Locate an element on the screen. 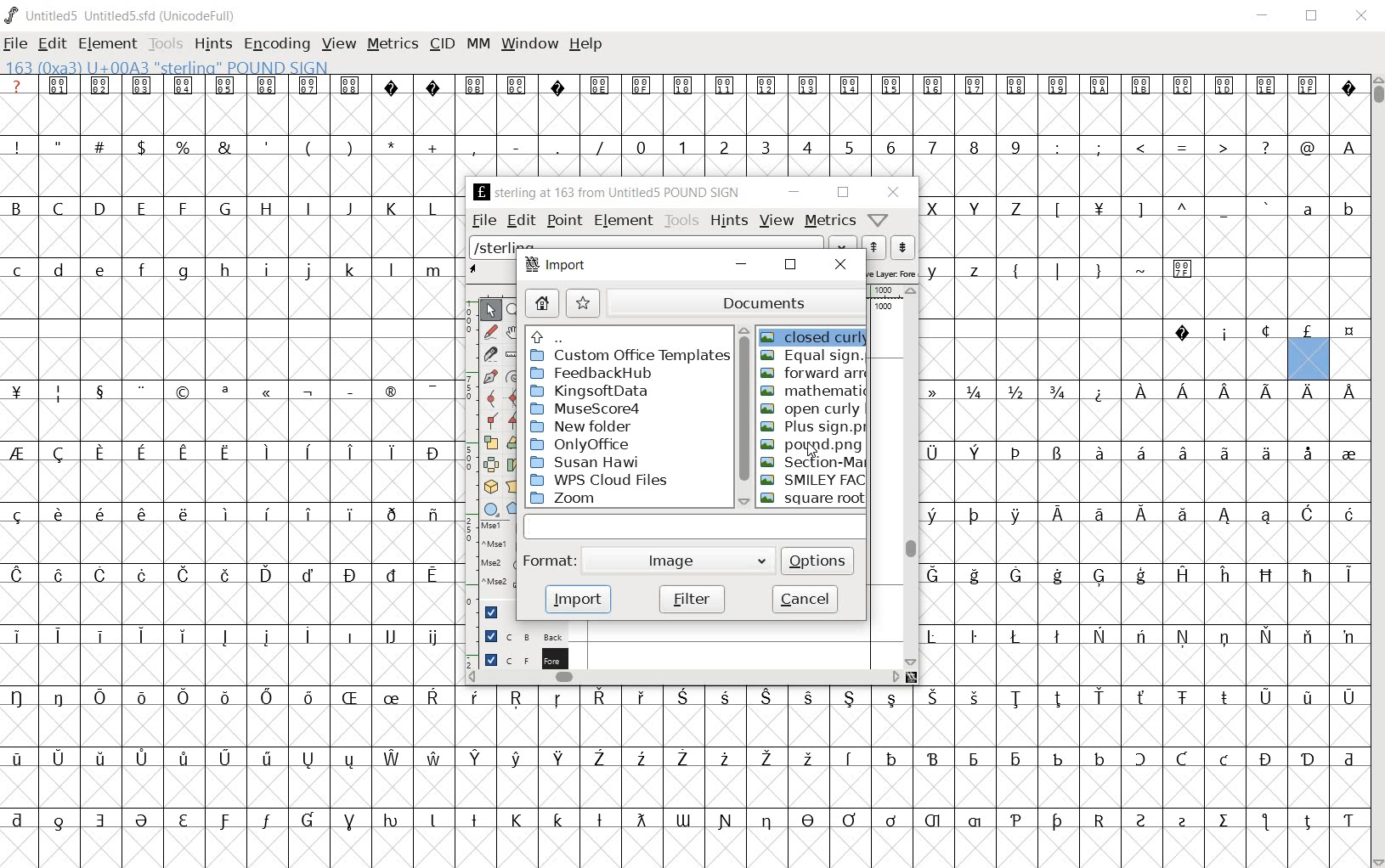 This screenshot has height=868, width=1385. METRICS is located at coordinates (391, 46).